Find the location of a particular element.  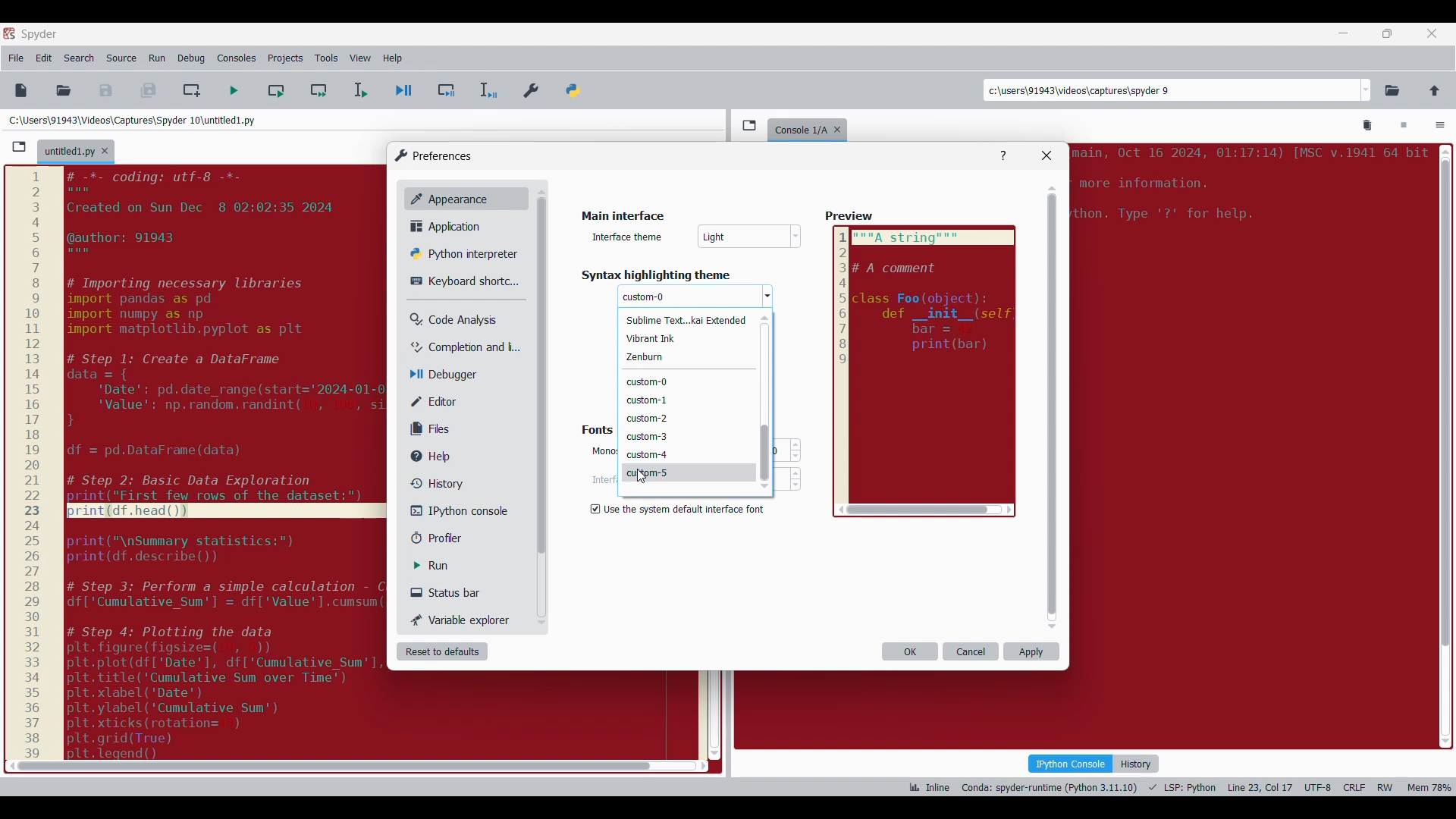

Help is located at coordinates (438, 457).